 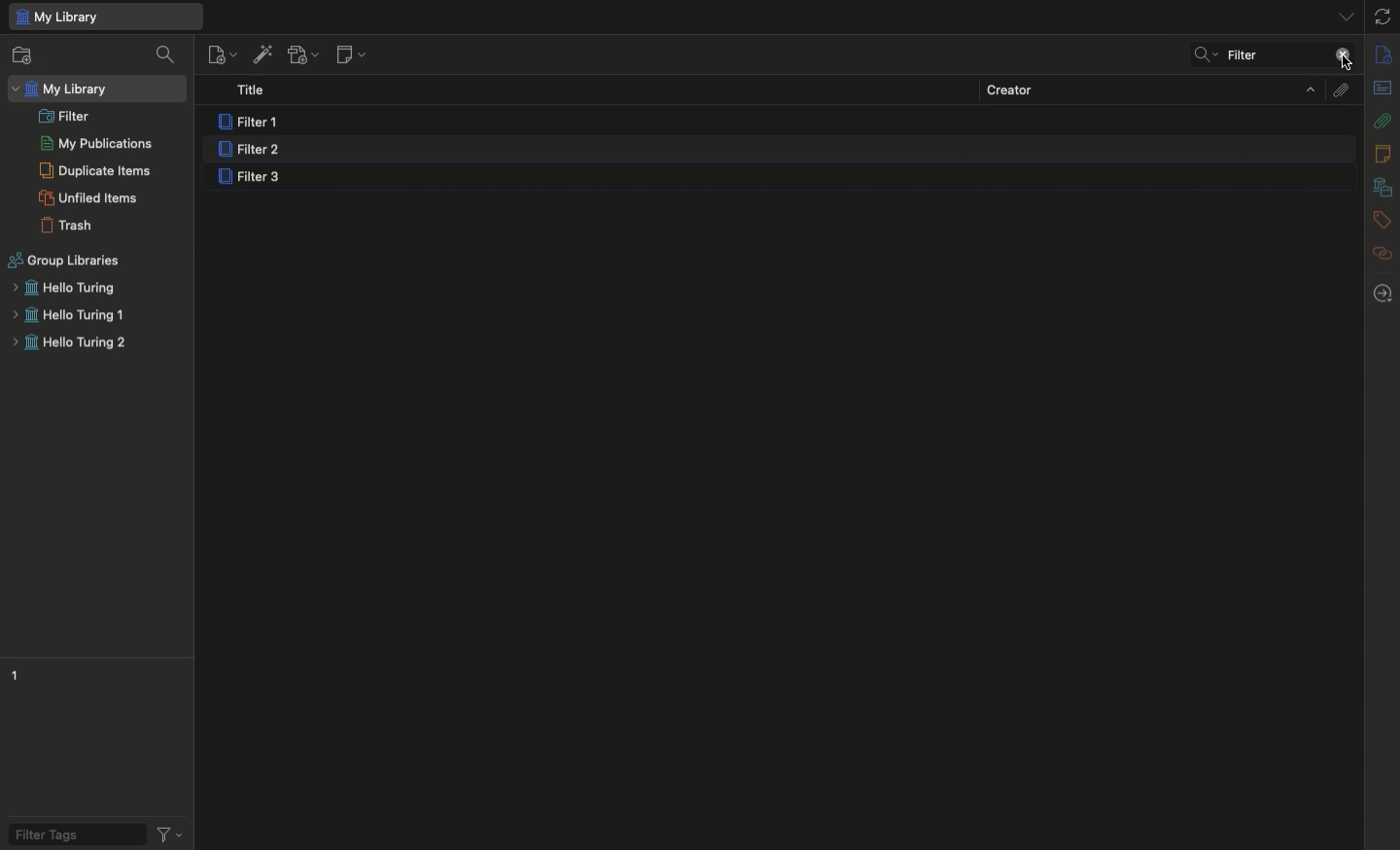 I want to click on Advanced search options, so click(x=1223, y=54).